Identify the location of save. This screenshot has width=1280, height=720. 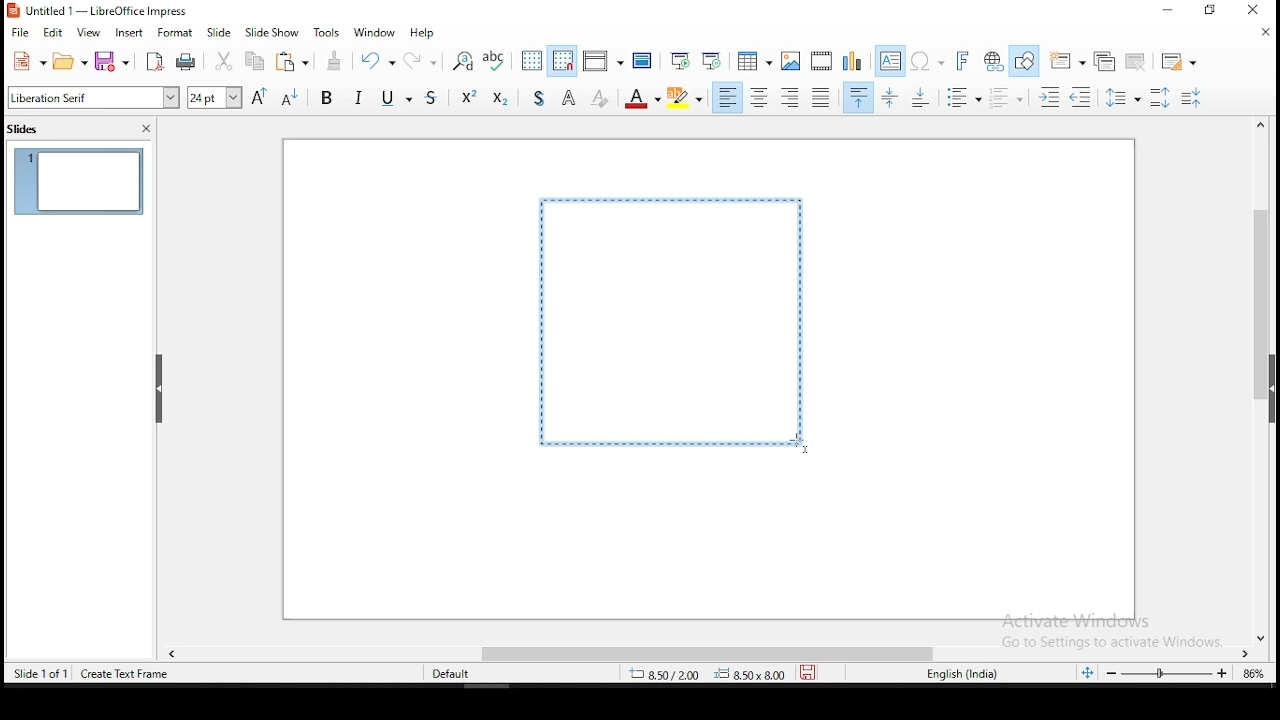
(807, 673).